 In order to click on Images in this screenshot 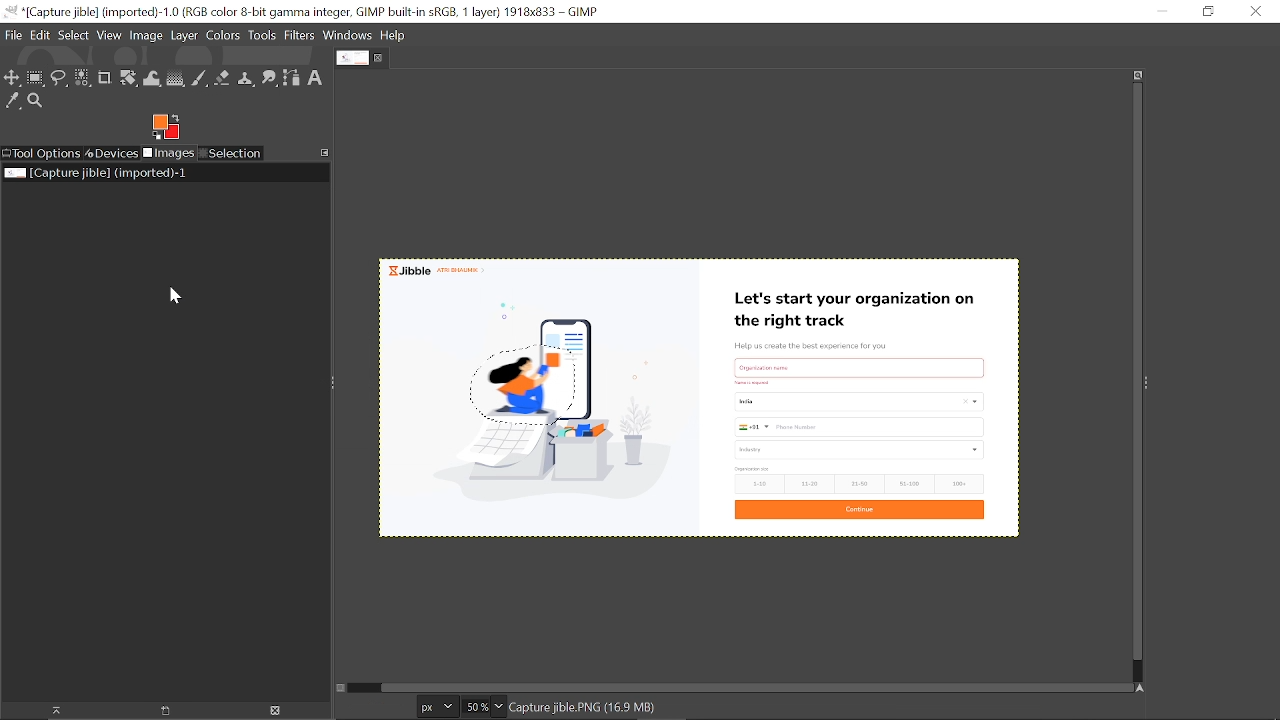, I will do `click(170, 154)`.